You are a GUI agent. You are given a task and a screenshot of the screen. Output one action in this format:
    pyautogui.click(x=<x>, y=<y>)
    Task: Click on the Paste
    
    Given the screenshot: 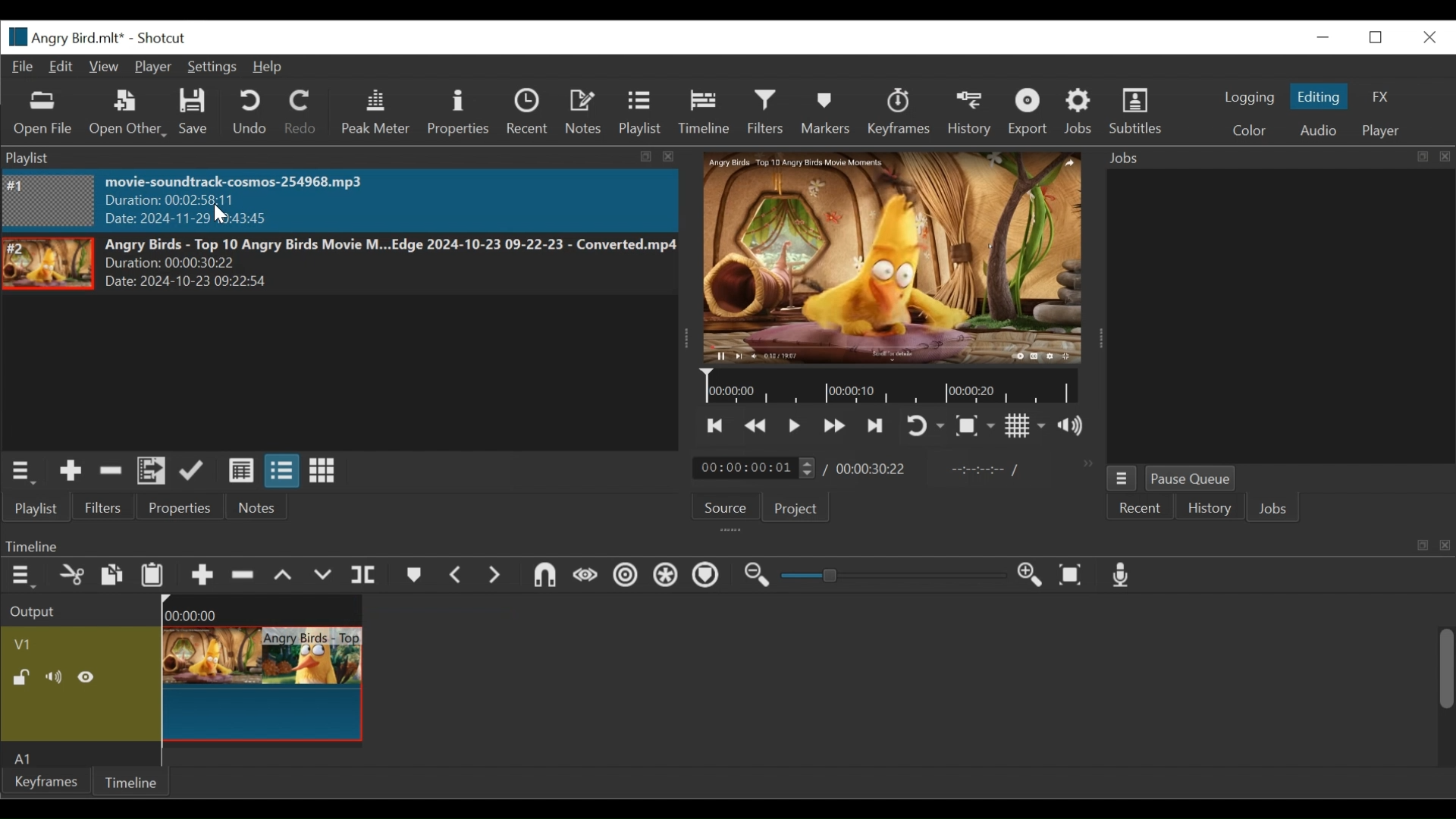 What is the action you would take?
    pyautogui.click(x=153, y=575)
    